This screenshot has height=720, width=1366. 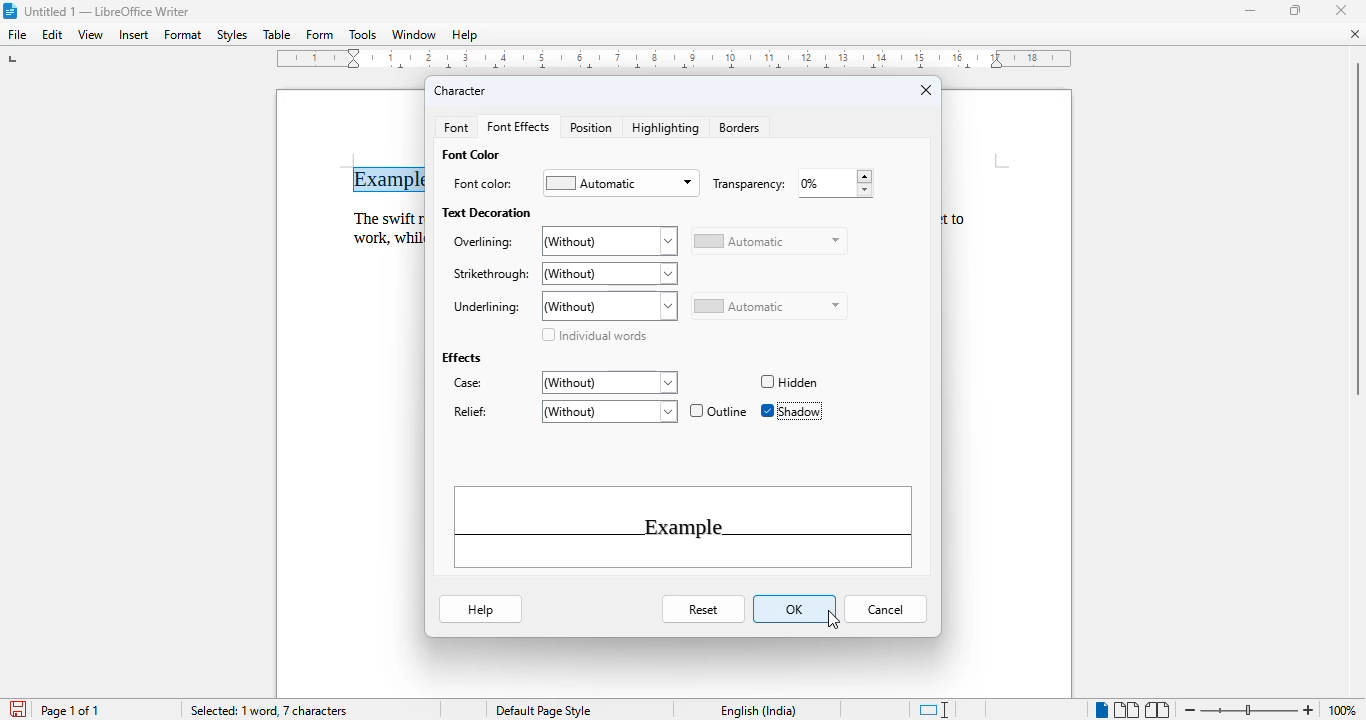 What do you see at coordinates (719, 410) in the screenshot?
I see `outline` at bounding box center [719, 410].